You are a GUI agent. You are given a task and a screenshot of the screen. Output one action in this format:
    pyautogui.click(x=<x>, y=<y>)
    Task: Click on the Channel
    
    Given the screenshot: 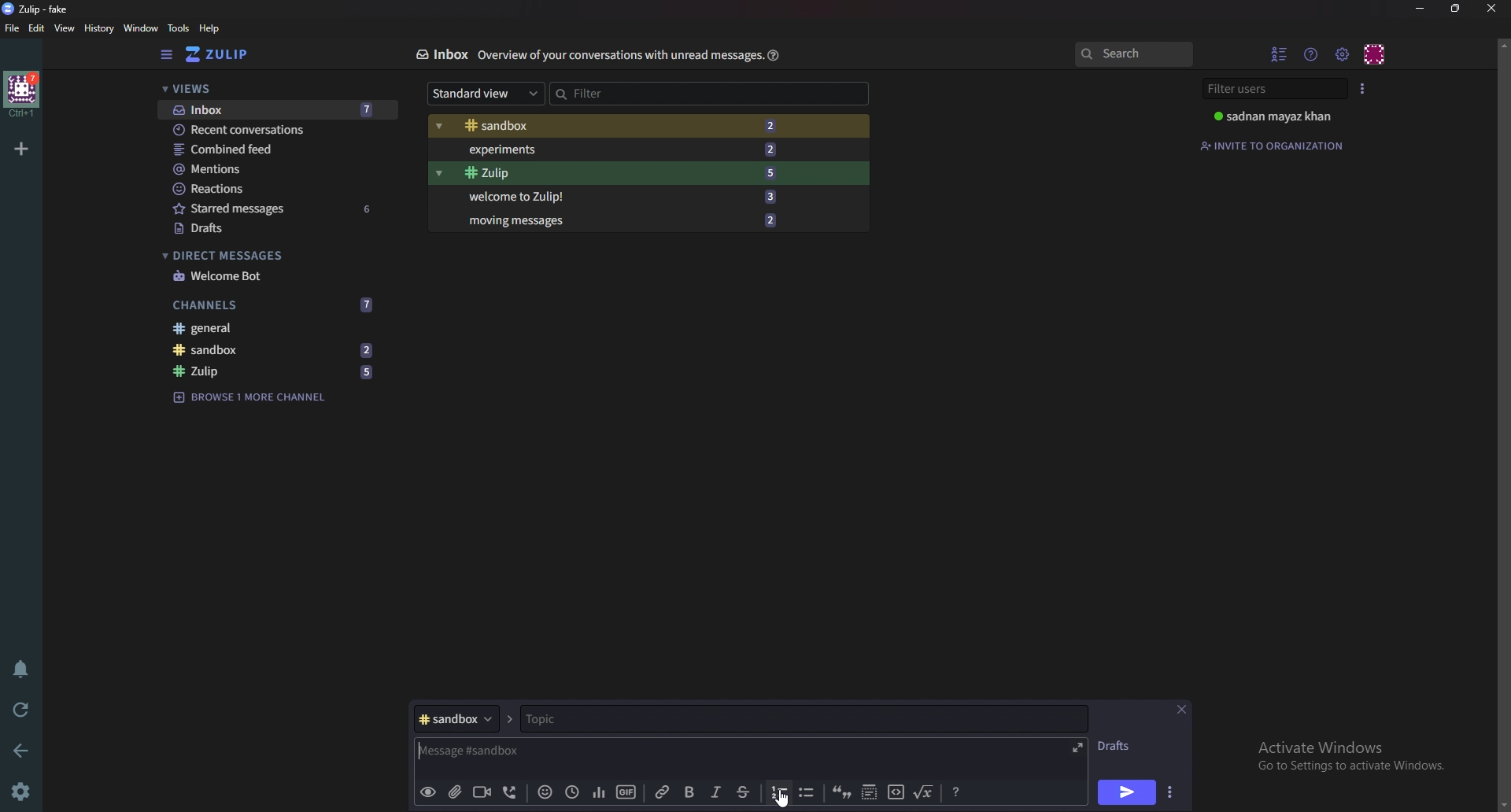 What is the action you would take?
    pyautogui.click(x=455, y=719)
    